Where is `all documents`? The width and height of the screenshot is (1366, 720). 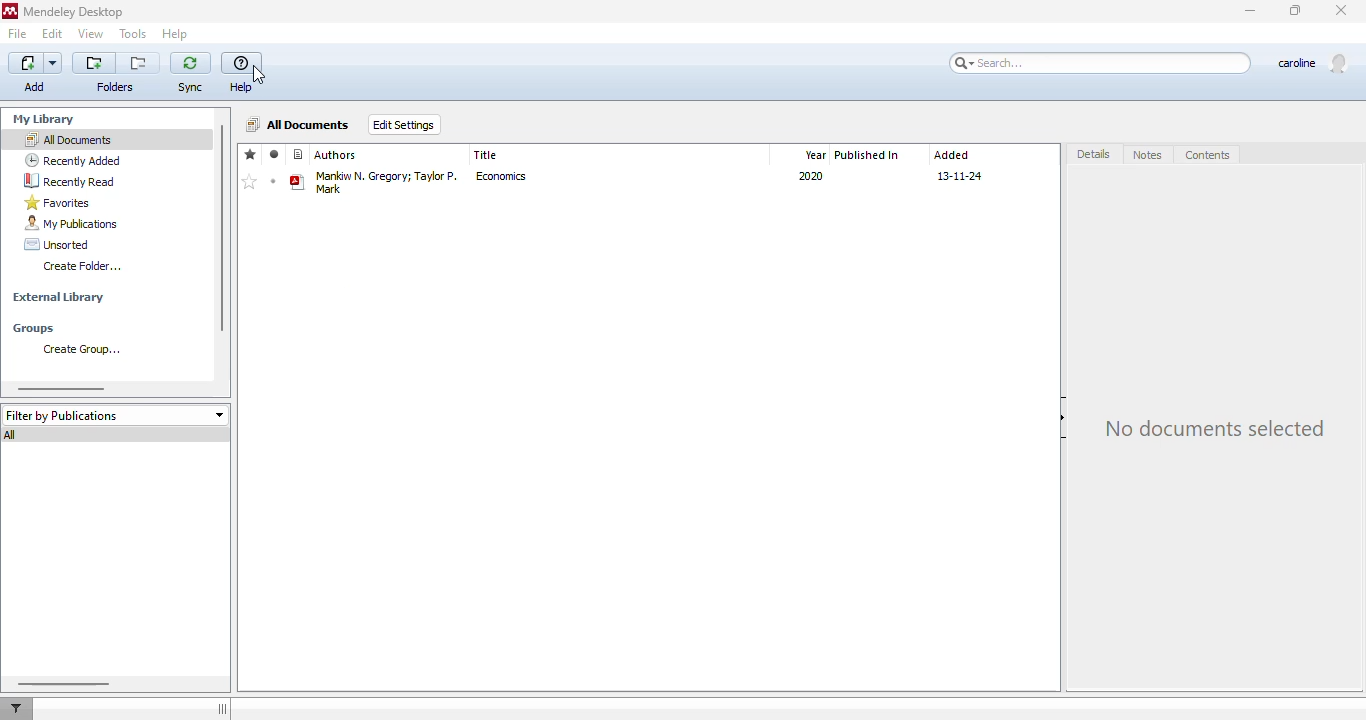 all documents is located at coordinates (299, 124).